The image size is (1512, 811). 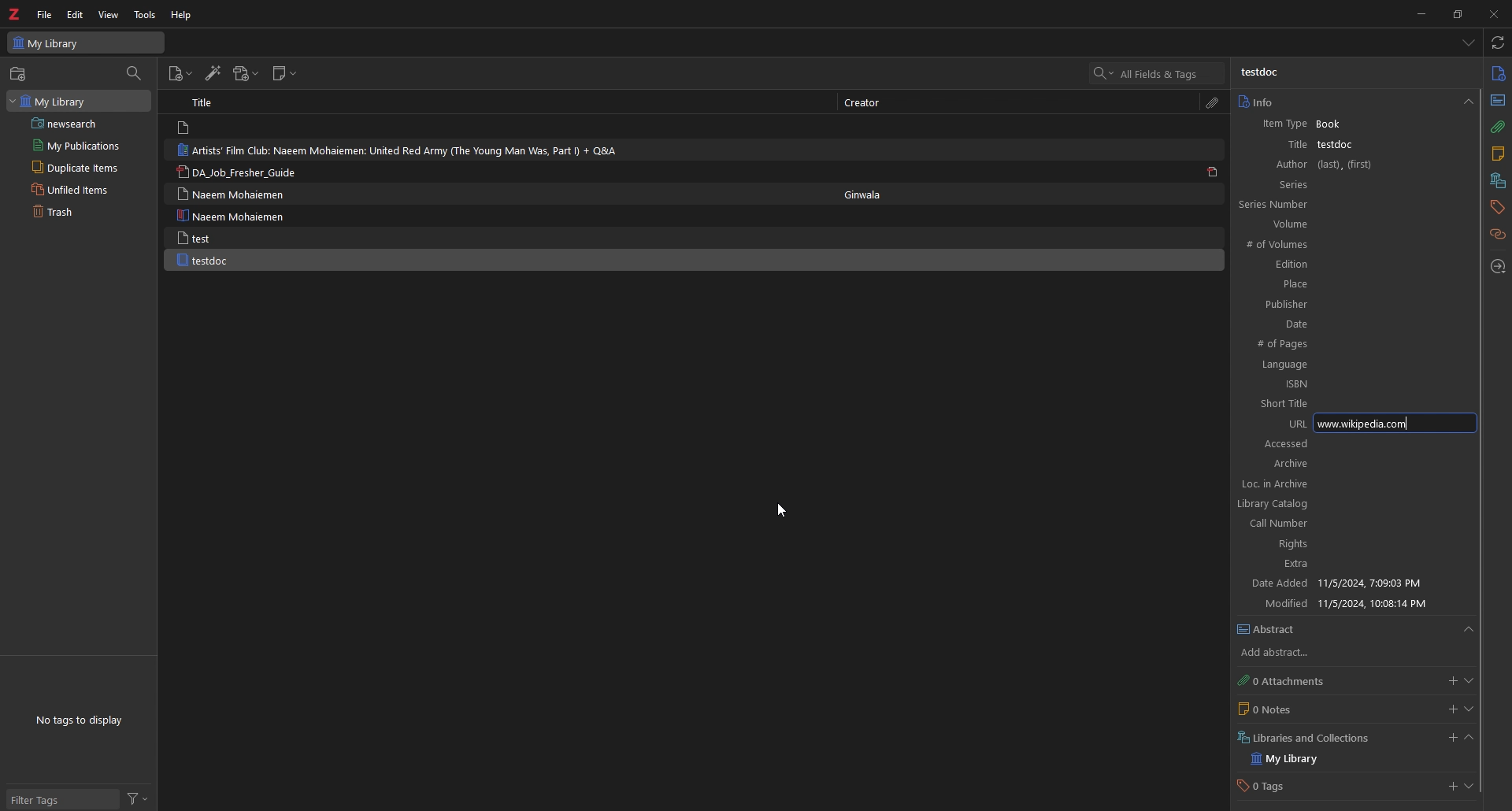 What do you see at coordinates (213, 73) in the screenshot?
I see `add items by identifier` at bounding box center [213, 73].